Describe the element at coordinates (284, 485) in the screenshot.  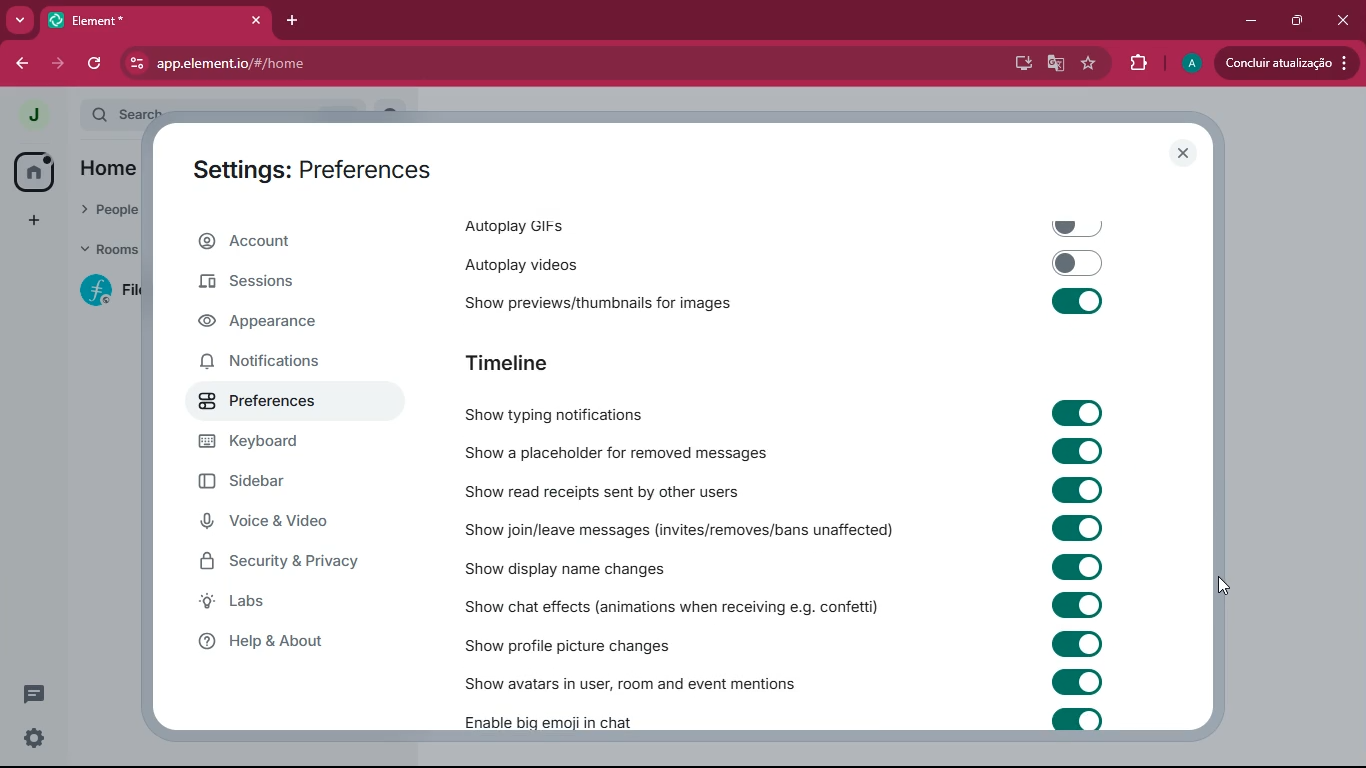
I see `sidebar` at that location.